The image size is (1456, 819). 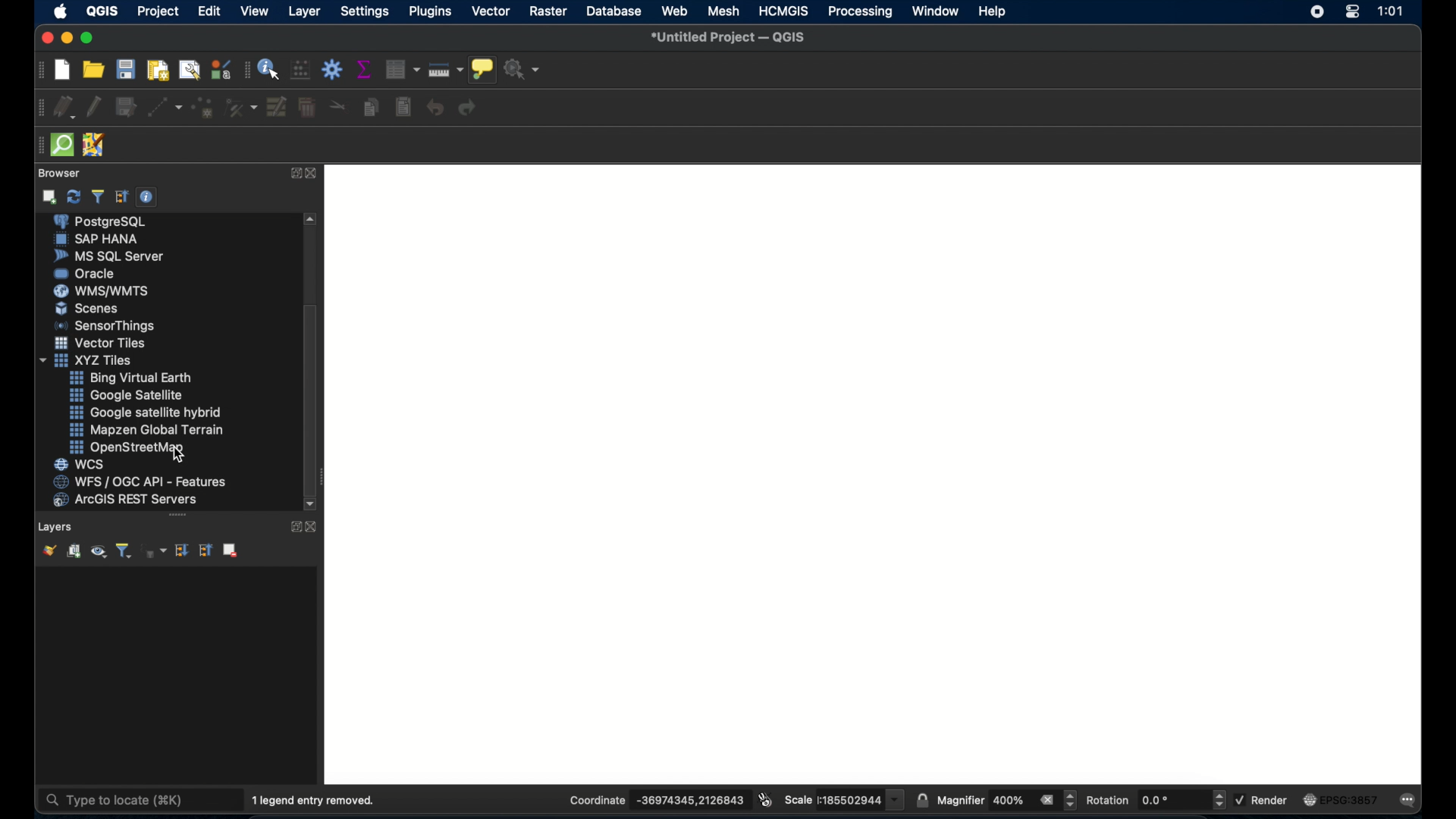 I want to click on magnifier, so click(x=1006, y=800).